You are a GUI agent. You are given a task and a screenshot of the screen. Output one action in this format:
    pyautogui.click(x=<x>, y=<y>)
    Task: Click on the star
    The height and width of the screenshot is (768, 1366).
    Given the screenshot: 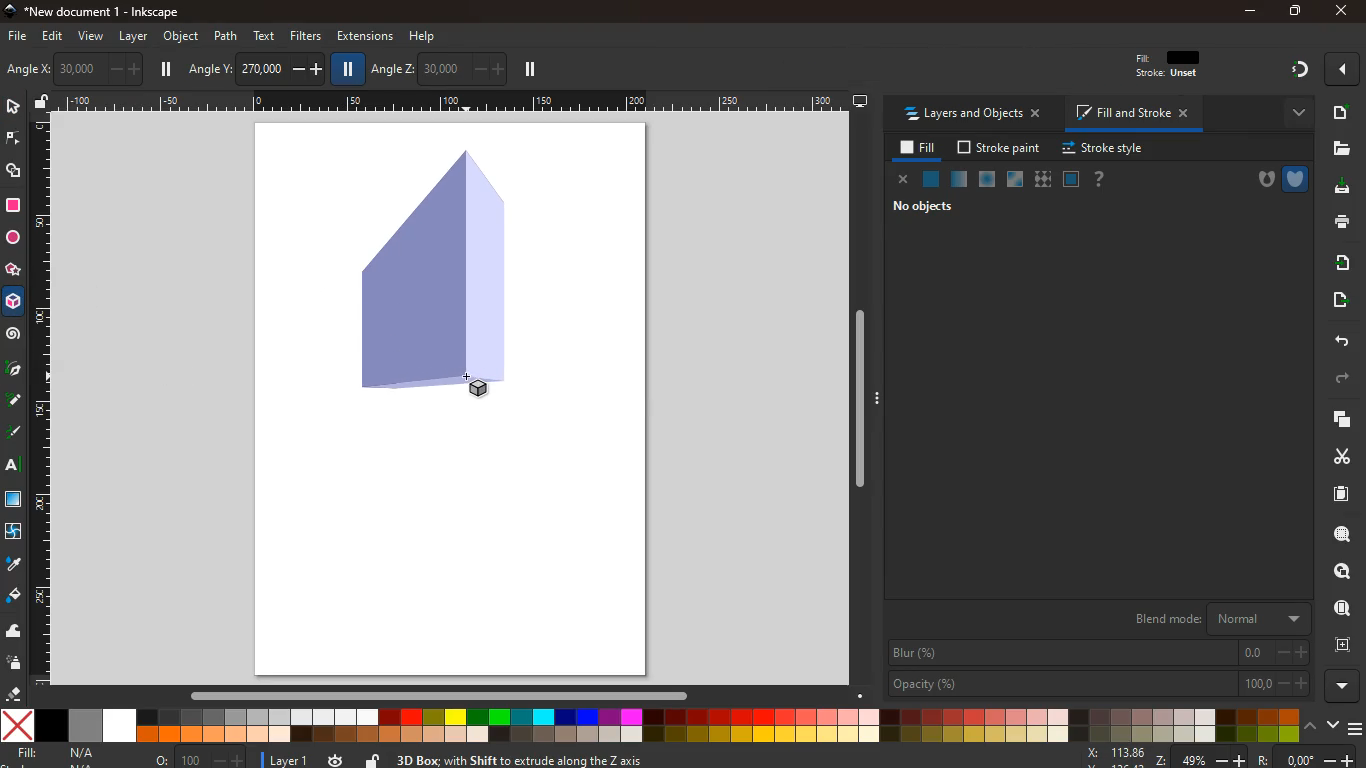 What is the action you would take?
    pyautogui.click(x=14, y=271)
    